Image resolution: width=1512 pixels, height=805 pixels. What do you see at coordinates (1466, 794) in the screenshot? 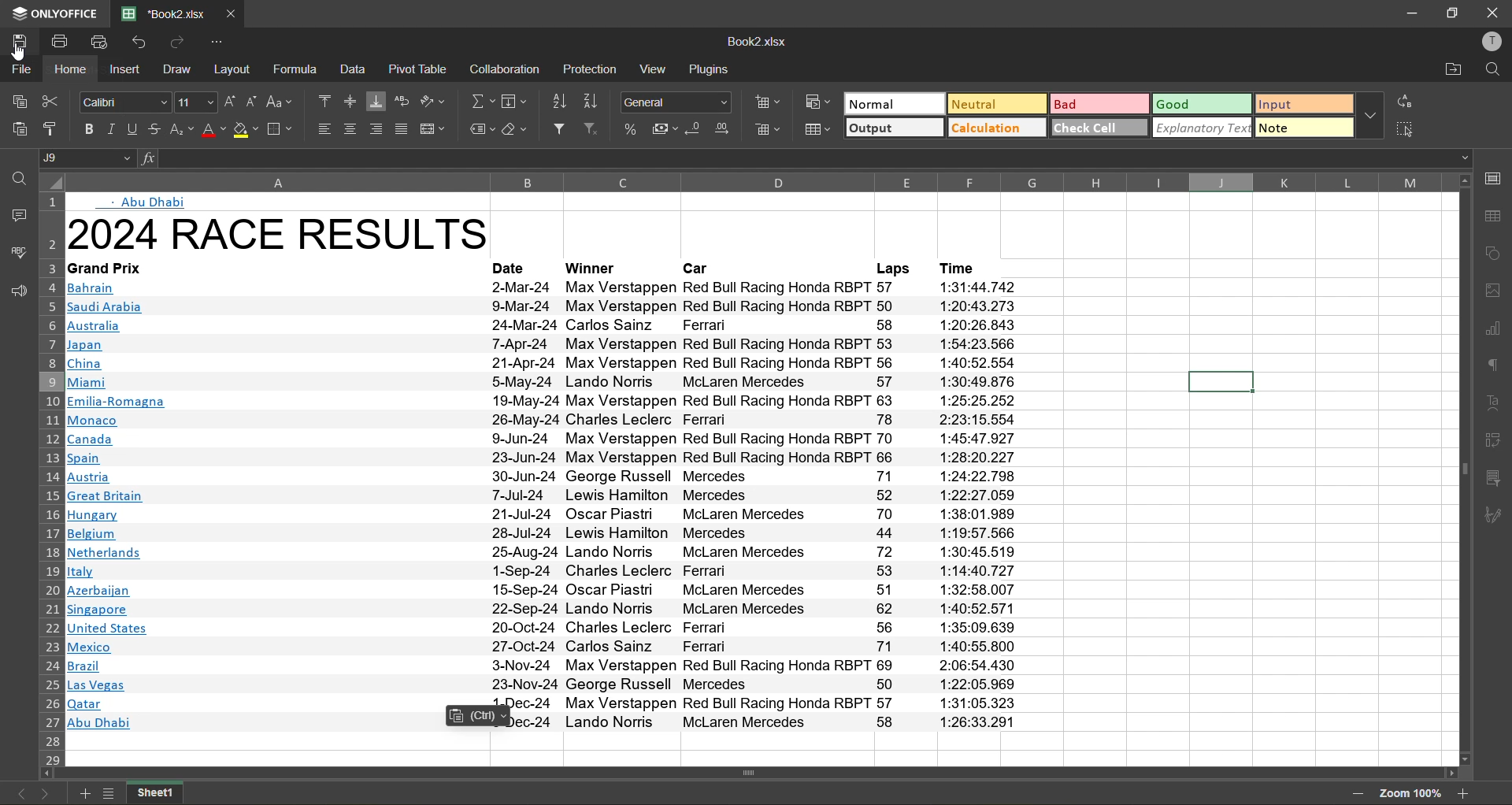
I see `zoom in` at bounding box center [1466, 794].